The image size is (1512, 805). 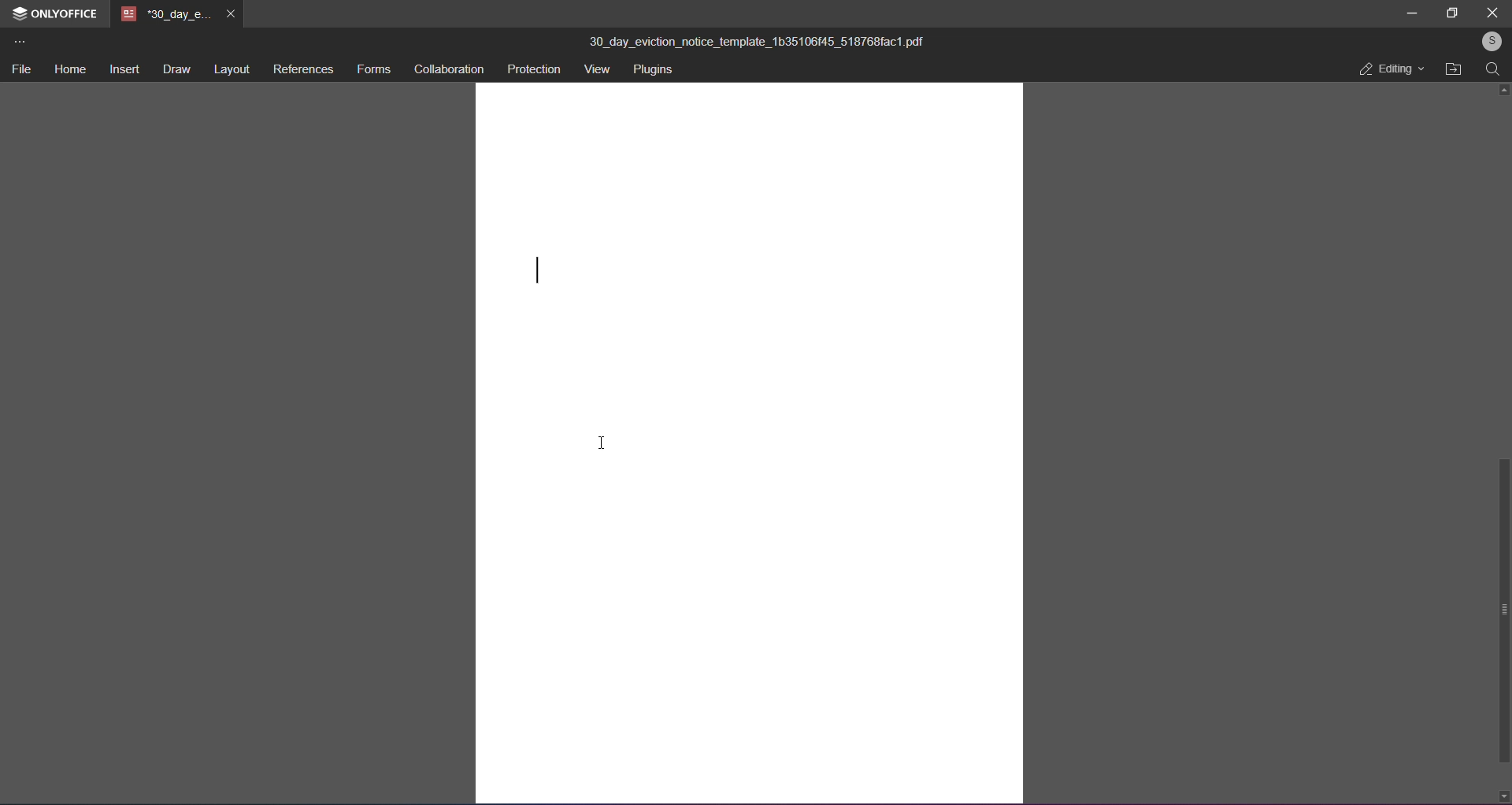 I want to click on title, so click(x=757, y=43).